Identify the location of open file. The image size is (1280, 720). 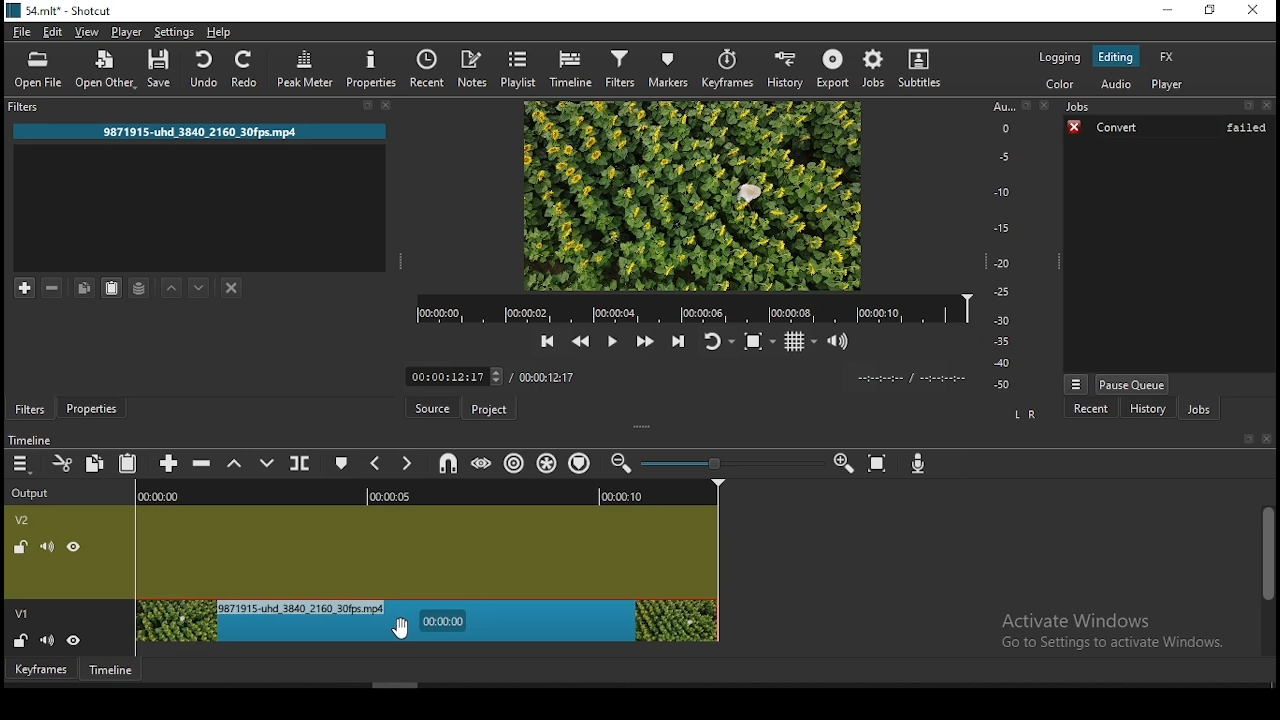
(41, 69).